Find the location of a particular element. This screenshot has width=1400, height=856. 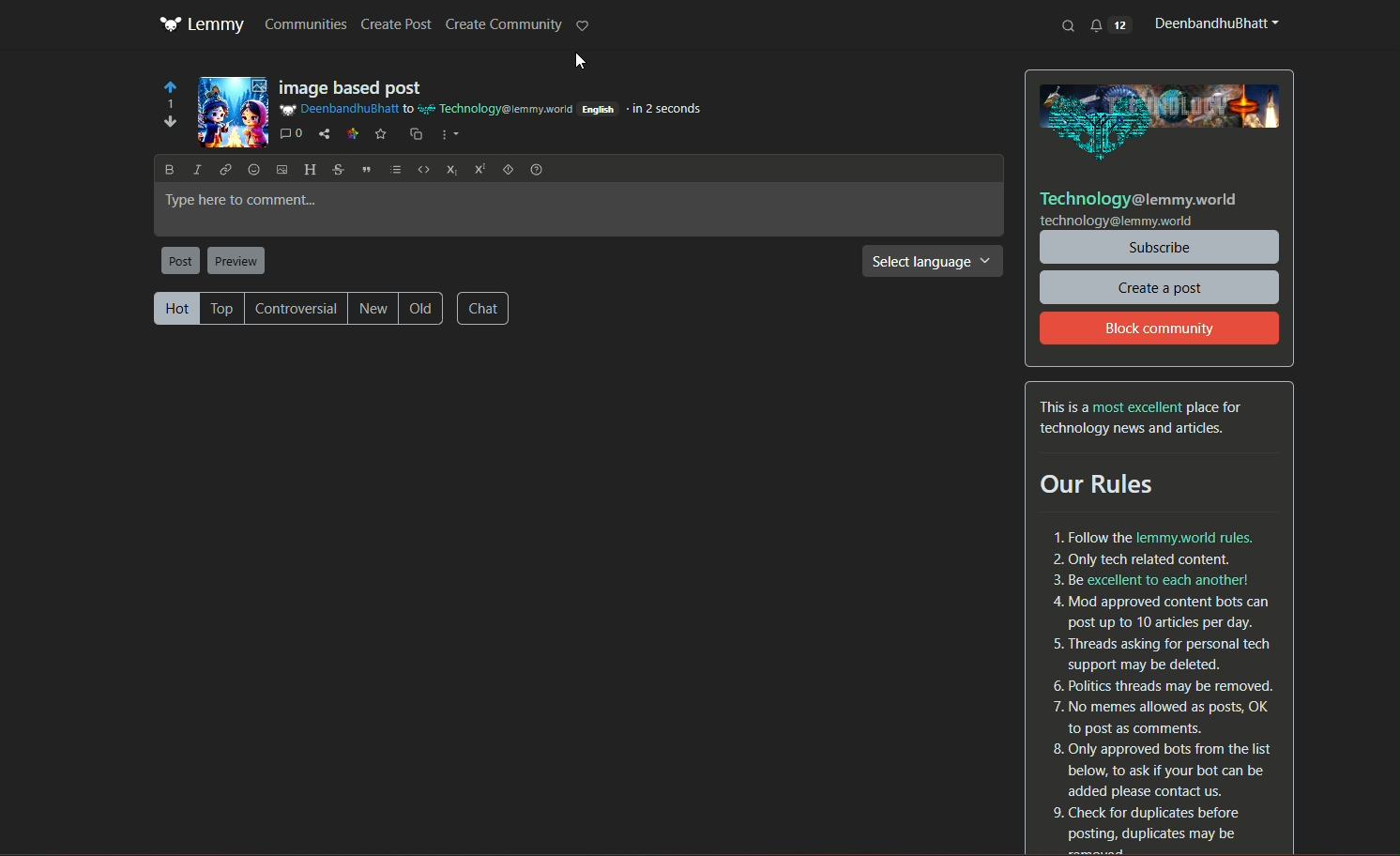

technology @lemmy.world is located at coordinates (1117, 222).